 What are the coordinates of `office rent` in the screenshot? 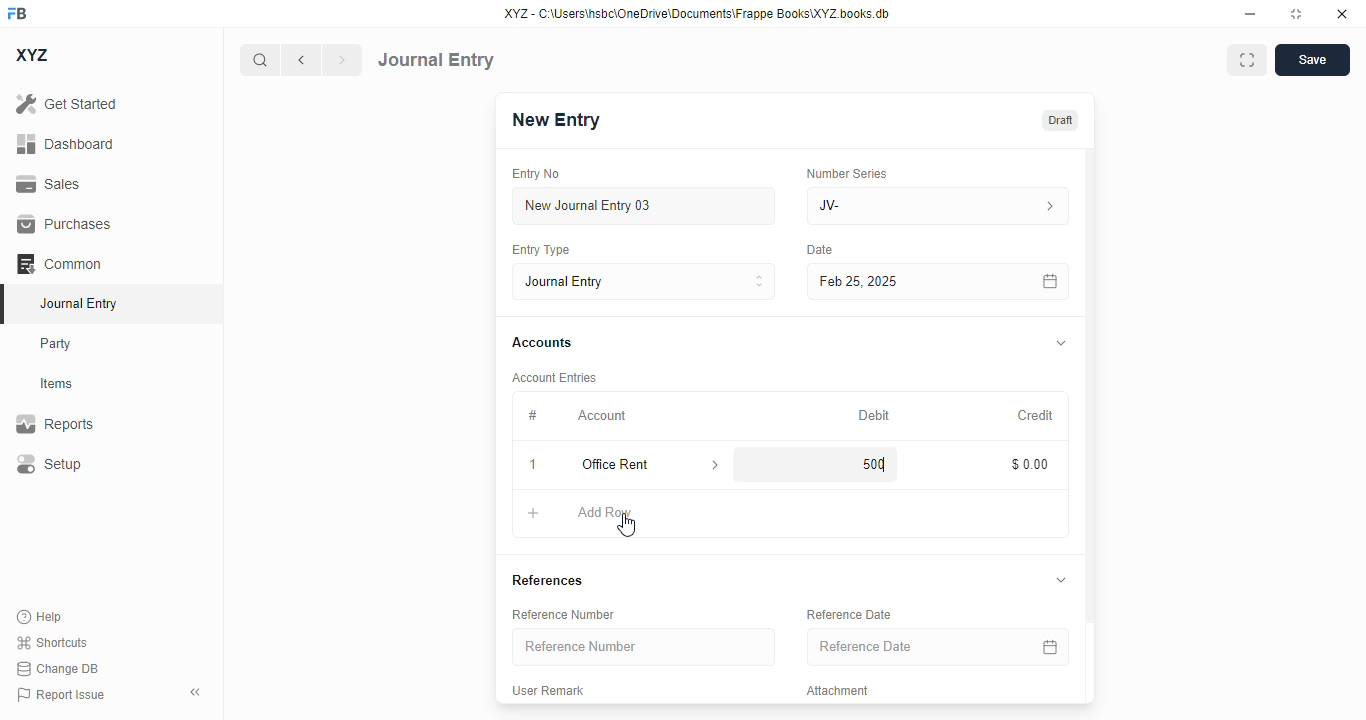 It's located at (631, 464).